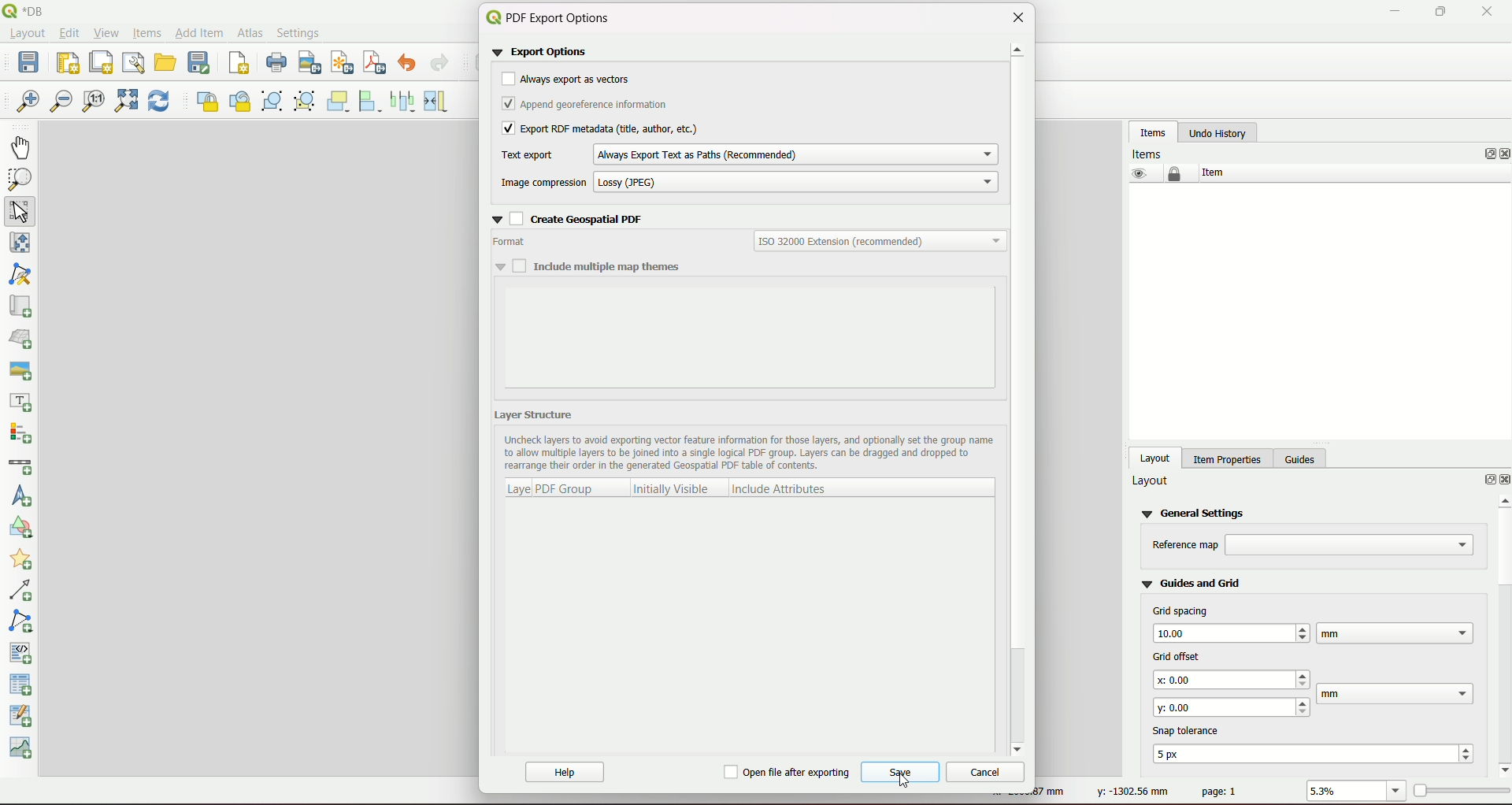 Image resolution: width=1512 pixels, height=805 pixels. What do you see at coordinates (239, 101) in the screenshot?
I see `unlock all items` at bounding box center [239, 101].